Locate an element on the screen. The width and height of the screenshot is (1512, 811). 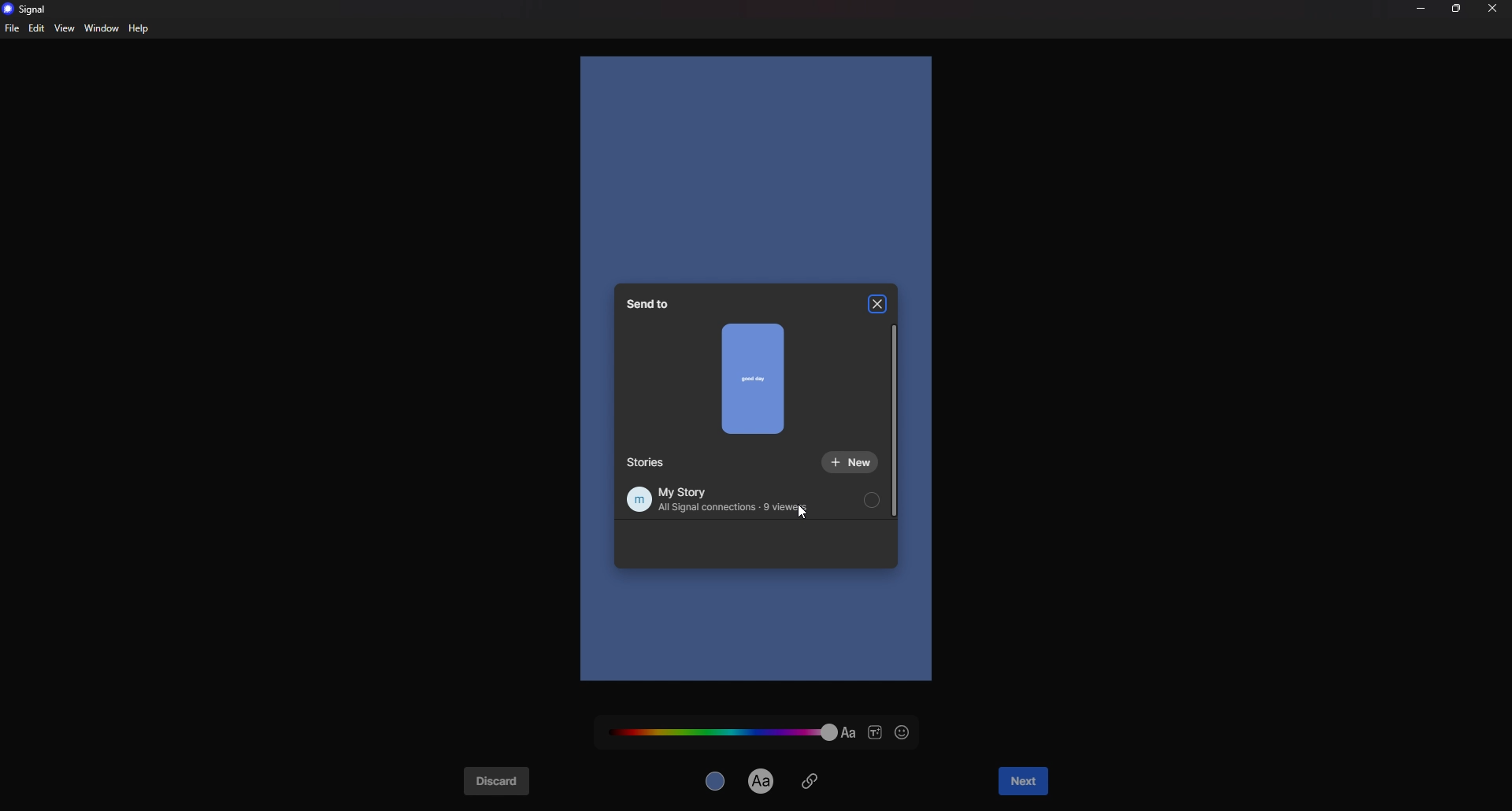
my story all signal connections 9 viewers is located at coordinates (753, 498).